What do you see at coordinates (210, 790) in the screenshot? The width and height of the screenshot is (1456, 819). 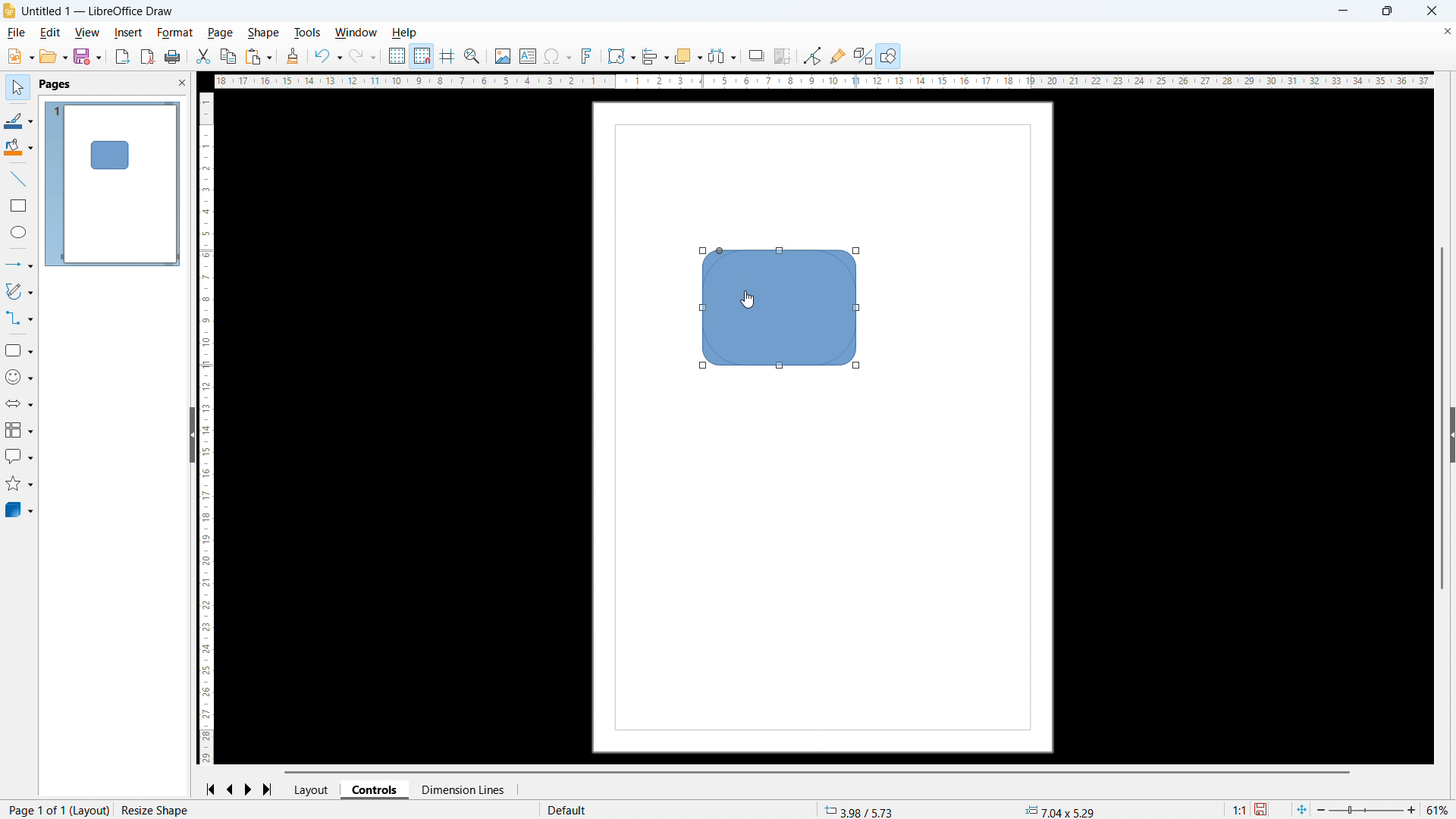 I see `Go to first page ` at bounding box center [210, 790].